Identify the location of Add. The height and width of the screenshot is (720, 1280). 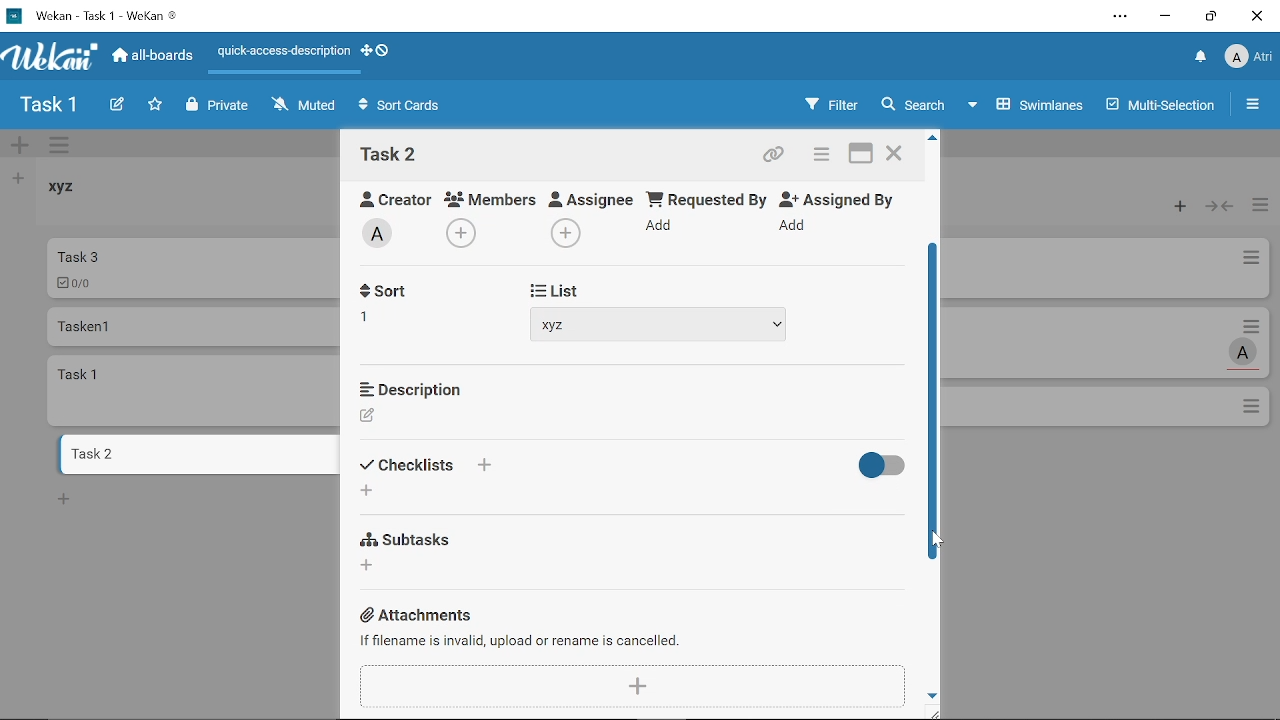
(366, 492).